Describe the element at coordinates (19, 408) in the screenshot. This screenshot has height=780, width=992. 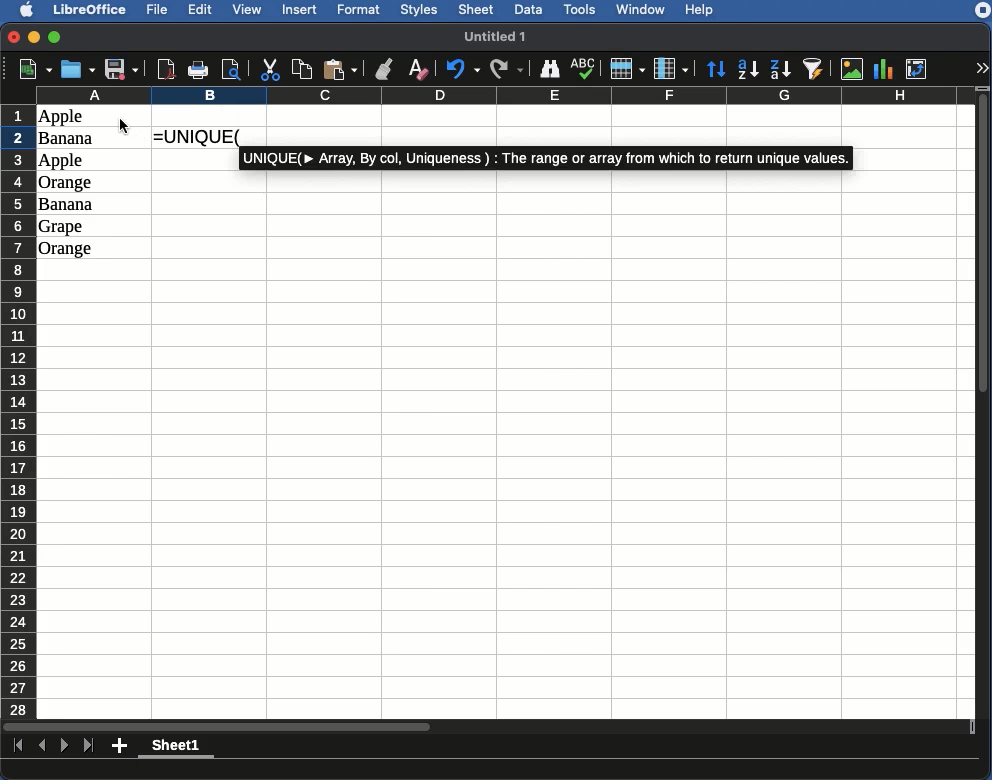
I see `Rows` at that location.